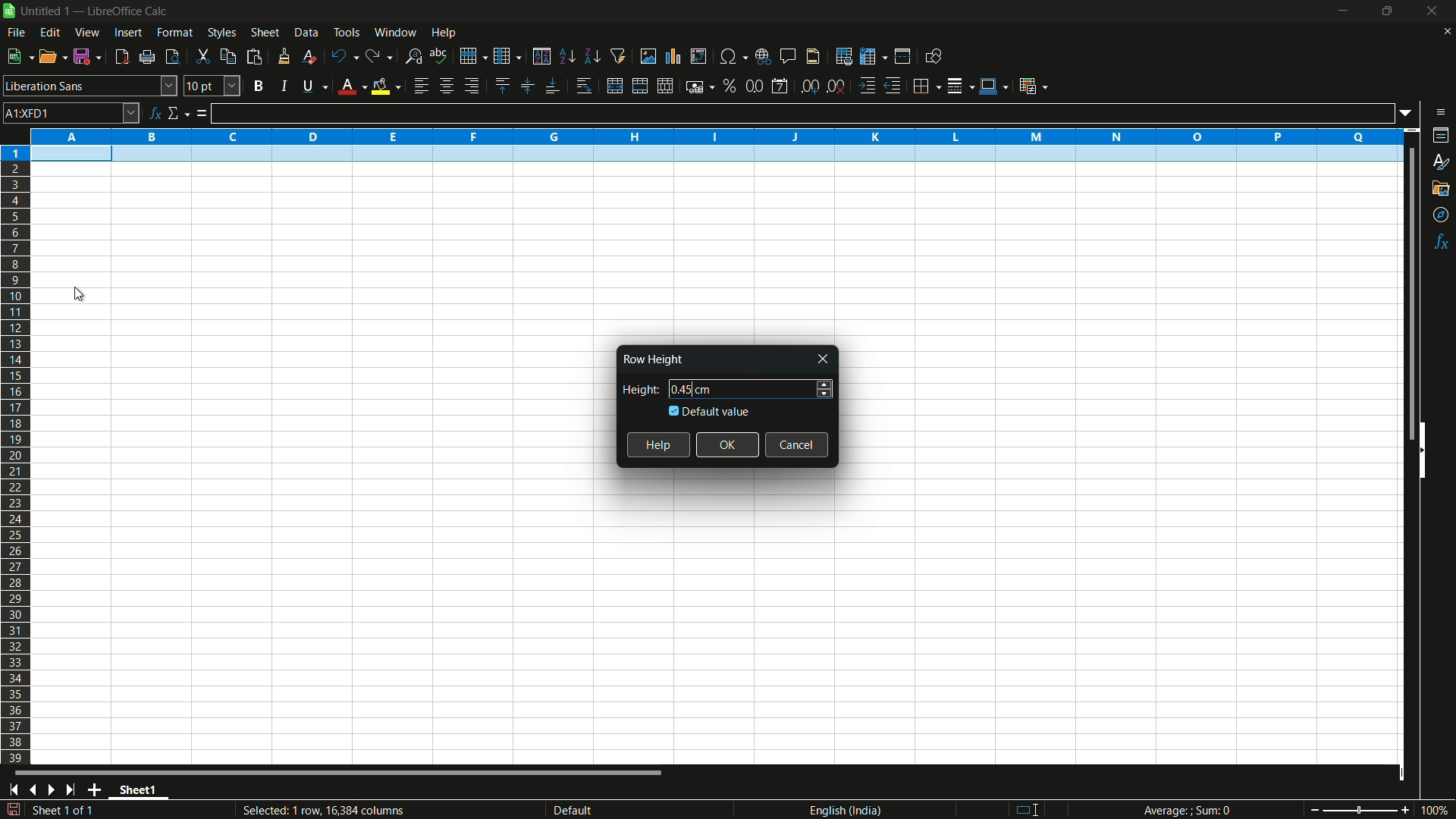 This screenshot has width=1456, height=819. Describe the element at coordinates (1387, 11) in the screenshot. I see `maximize or restore` at that location.